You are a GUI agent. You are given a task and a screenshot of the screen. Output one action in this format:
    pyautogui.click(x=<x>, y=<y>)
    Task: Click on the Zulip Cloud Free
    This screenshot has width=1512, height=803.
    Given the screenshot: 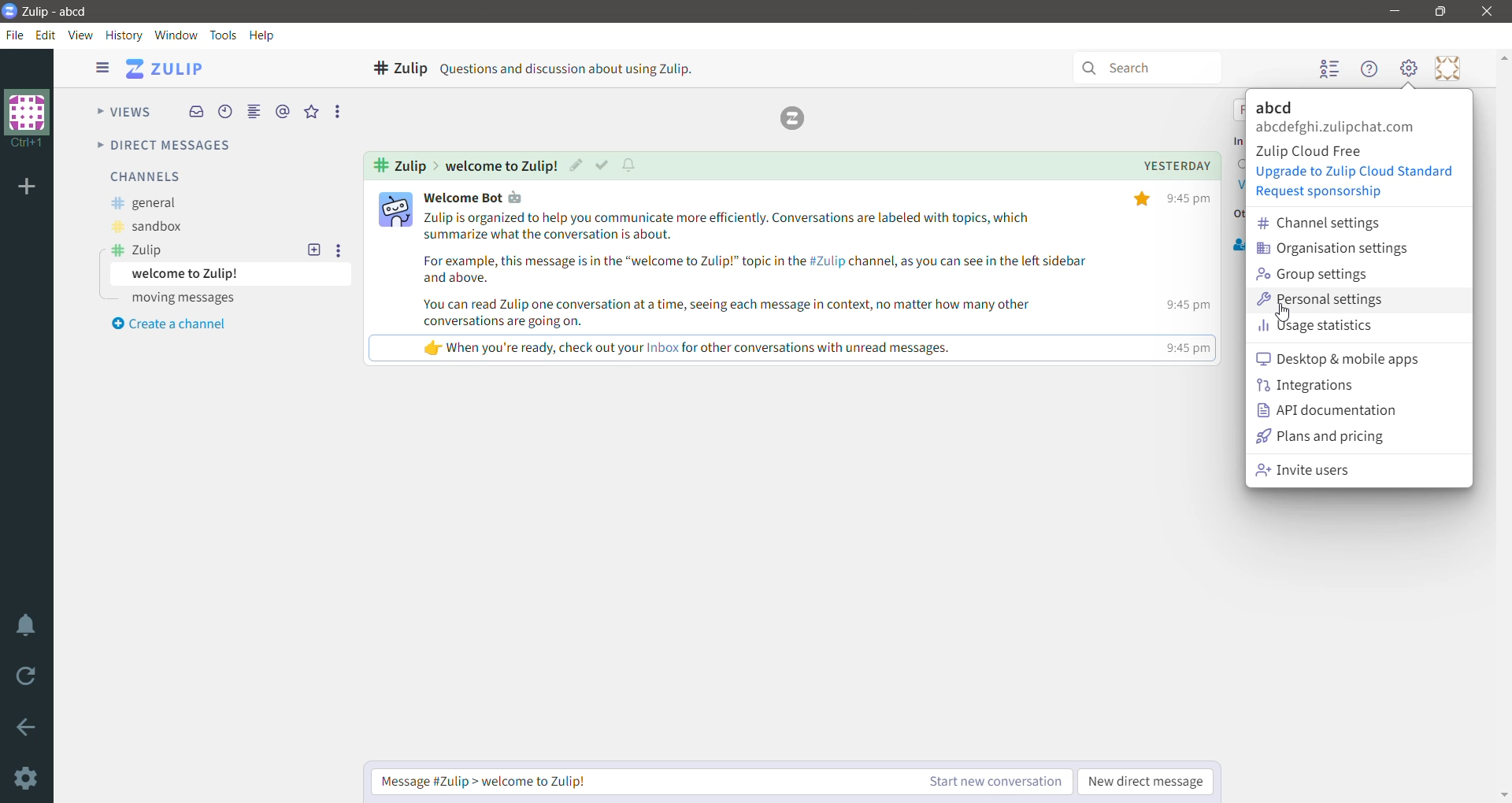 What is the action you would take?
    pyautogui.click(x=1313, y=150)
    